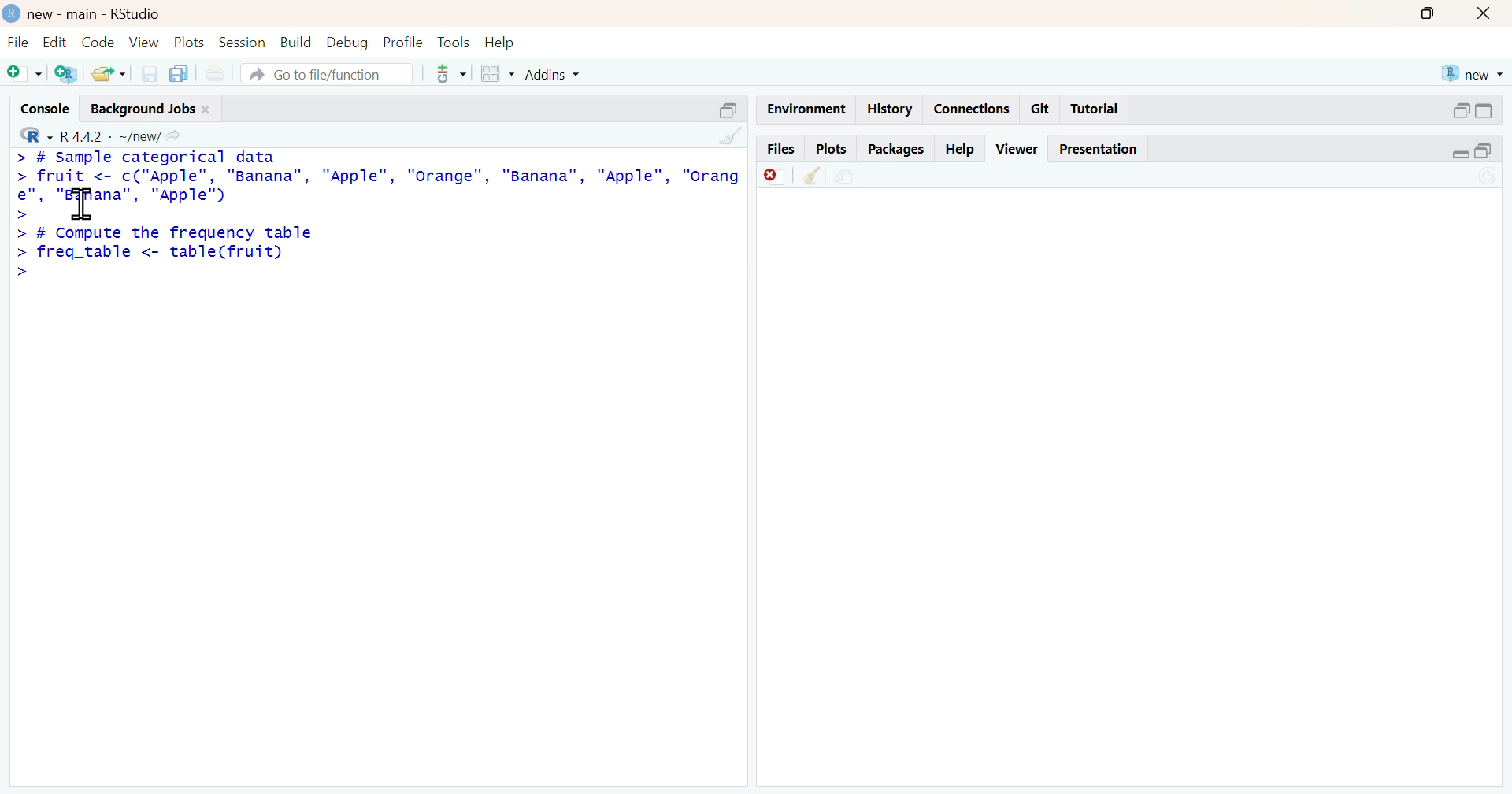 The height and width of the screenshot is (794, 1512). Describe the element at coordinates (380, 216) in the screenshot. I see `> # sample categorical data datafruit <- c("Apple"”, "Banana", "Apple", "Orange", "Banana", "Apple",rordpe" “Banana”, "Apple")# Compute the frequency tablefreq_table <- table(fruit)|` at that location.